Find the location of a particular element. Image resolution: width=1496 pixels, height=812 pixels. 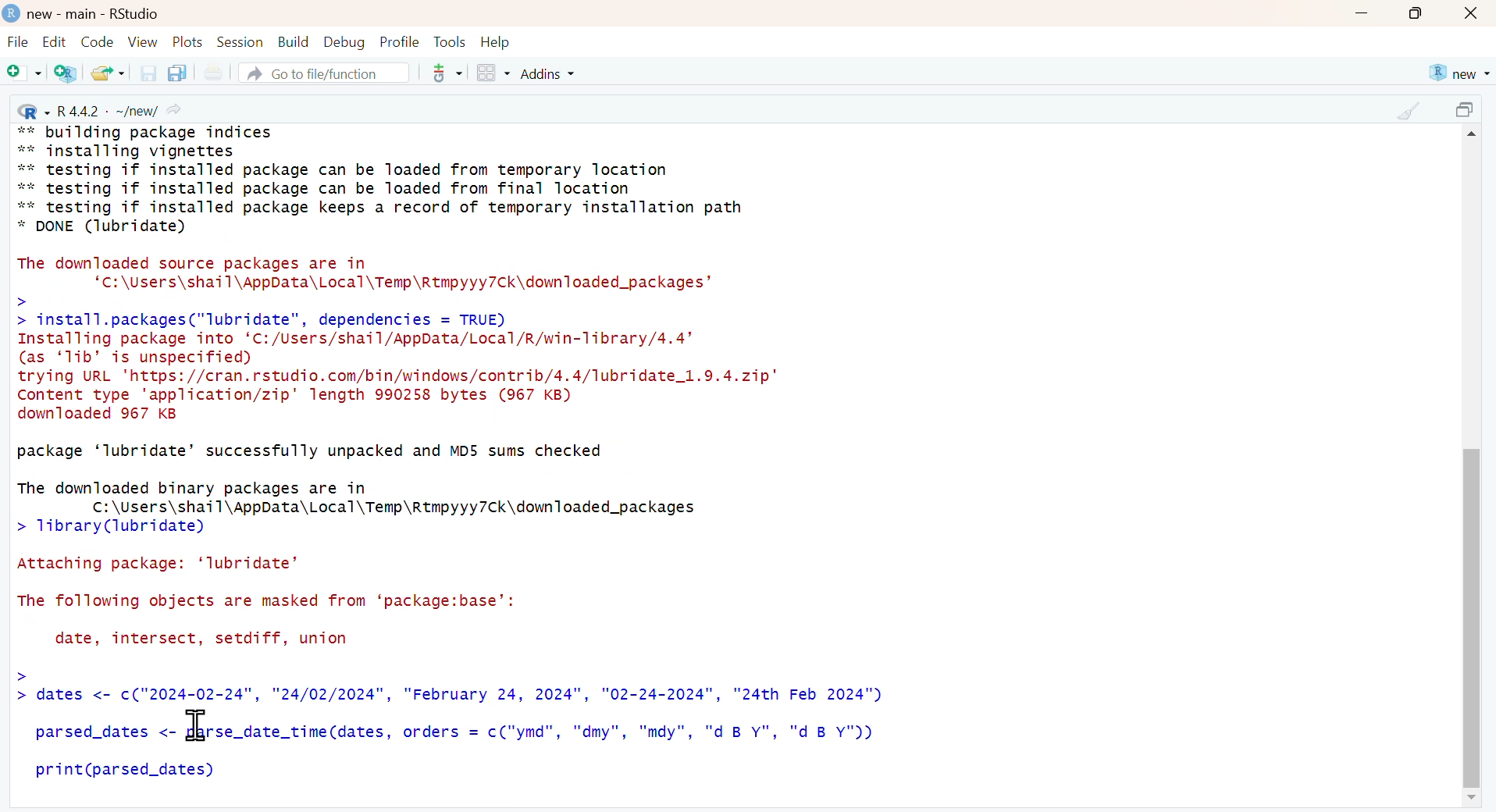

Profile is located at coordinates (400, 41).